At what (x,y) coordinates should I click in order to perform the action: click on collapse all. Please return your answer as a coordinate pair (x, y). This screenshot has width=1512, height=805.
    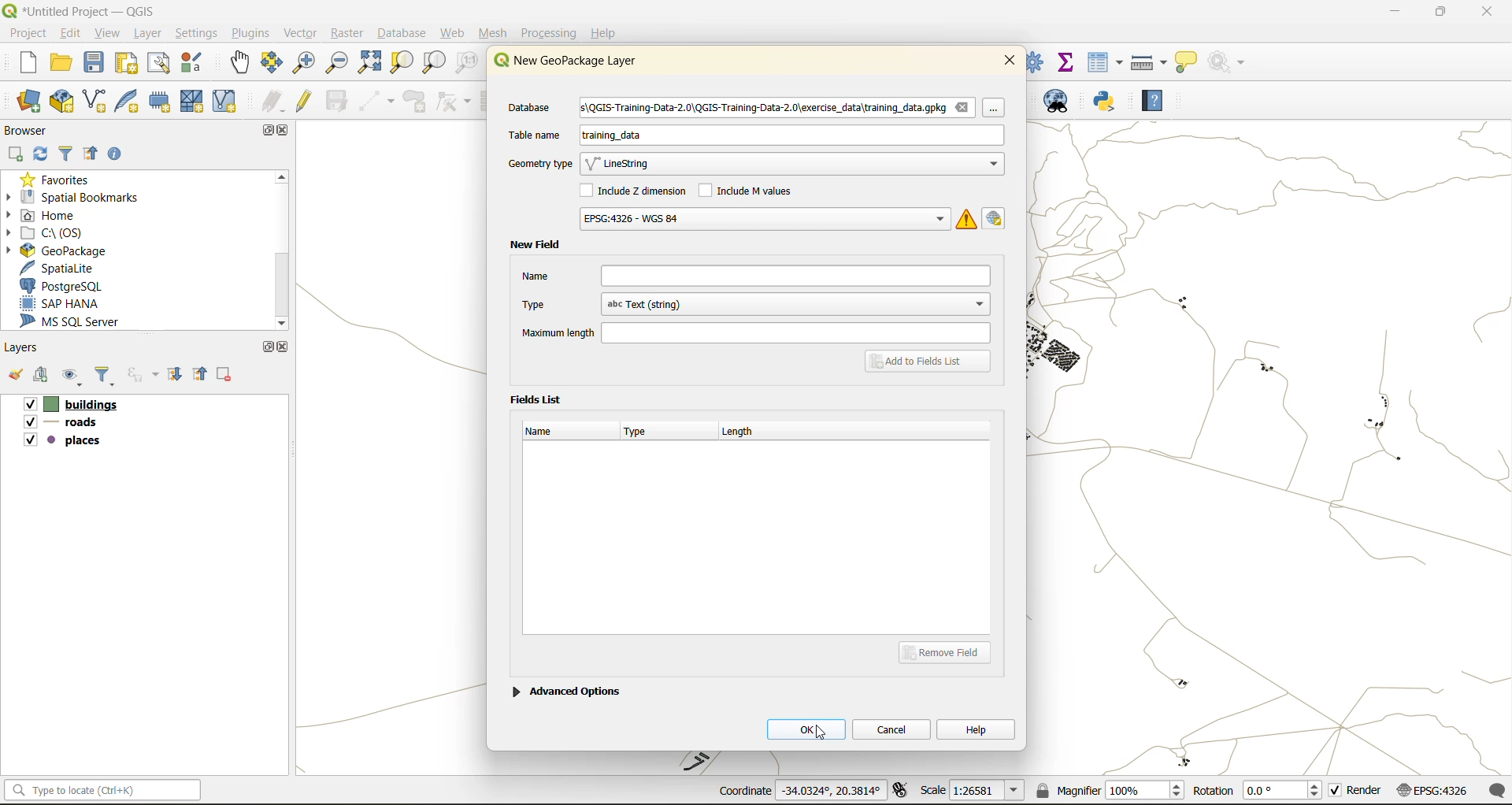
    Looking at the image, I should click on (94, 154).